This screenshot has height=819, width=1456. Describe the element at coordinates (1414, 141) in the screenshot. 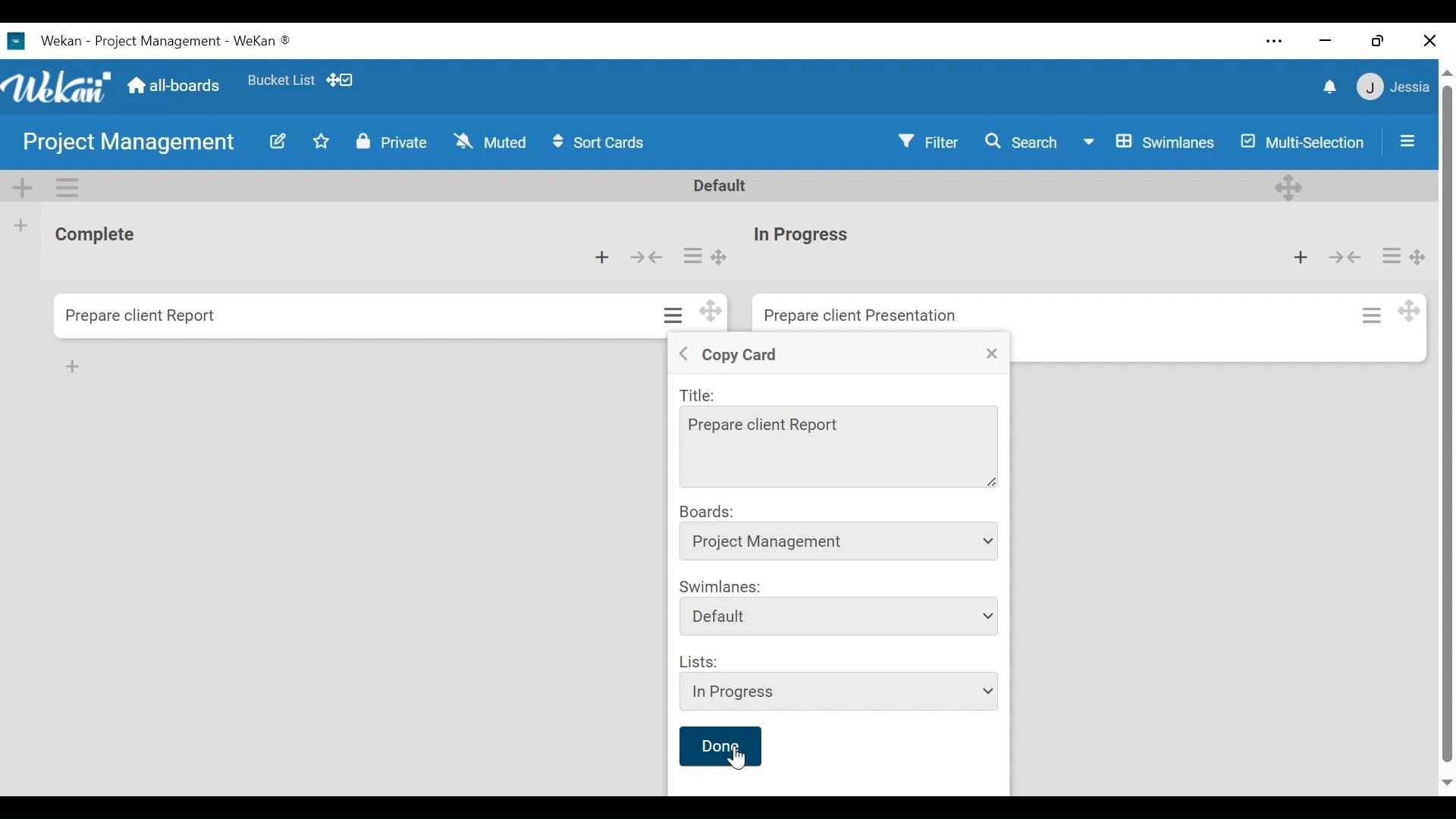

I see `Sidebar` at that location.